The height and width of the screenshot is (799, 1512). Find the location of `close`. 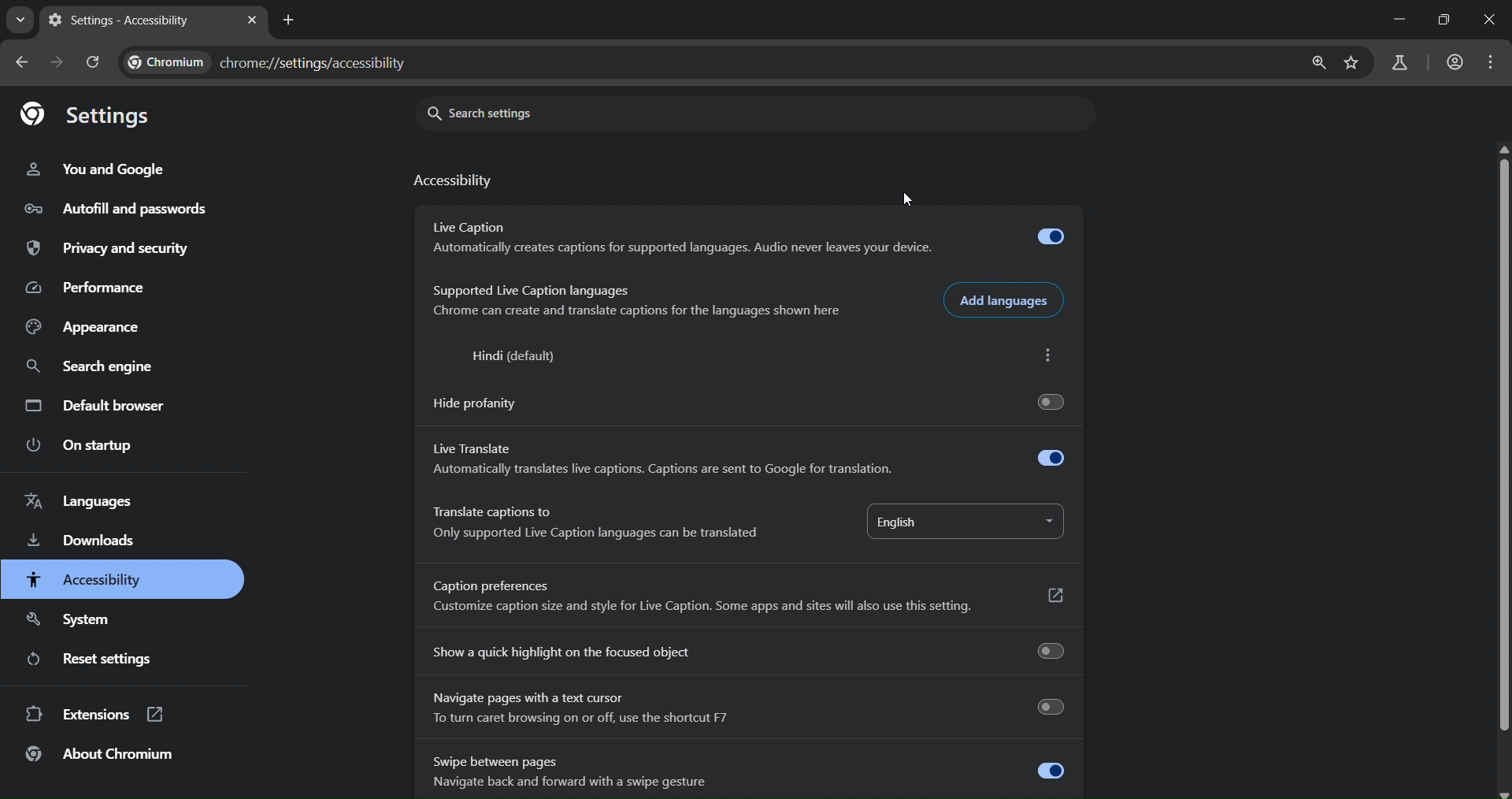

close is located at coordinates (1490, 19).